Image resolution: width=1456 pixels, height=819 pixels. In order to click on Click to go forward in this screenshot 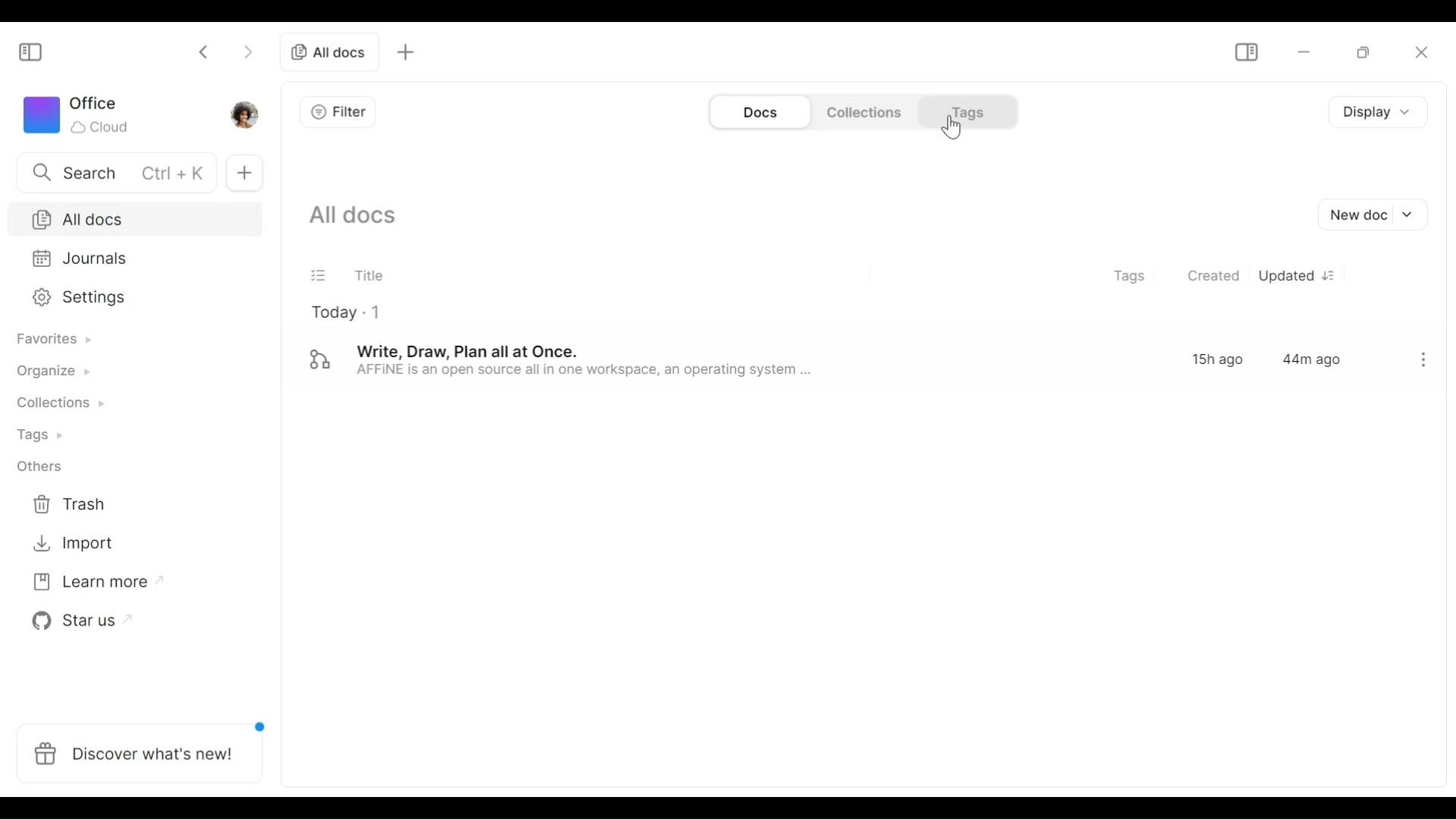, I will do `click(244, 52)`.